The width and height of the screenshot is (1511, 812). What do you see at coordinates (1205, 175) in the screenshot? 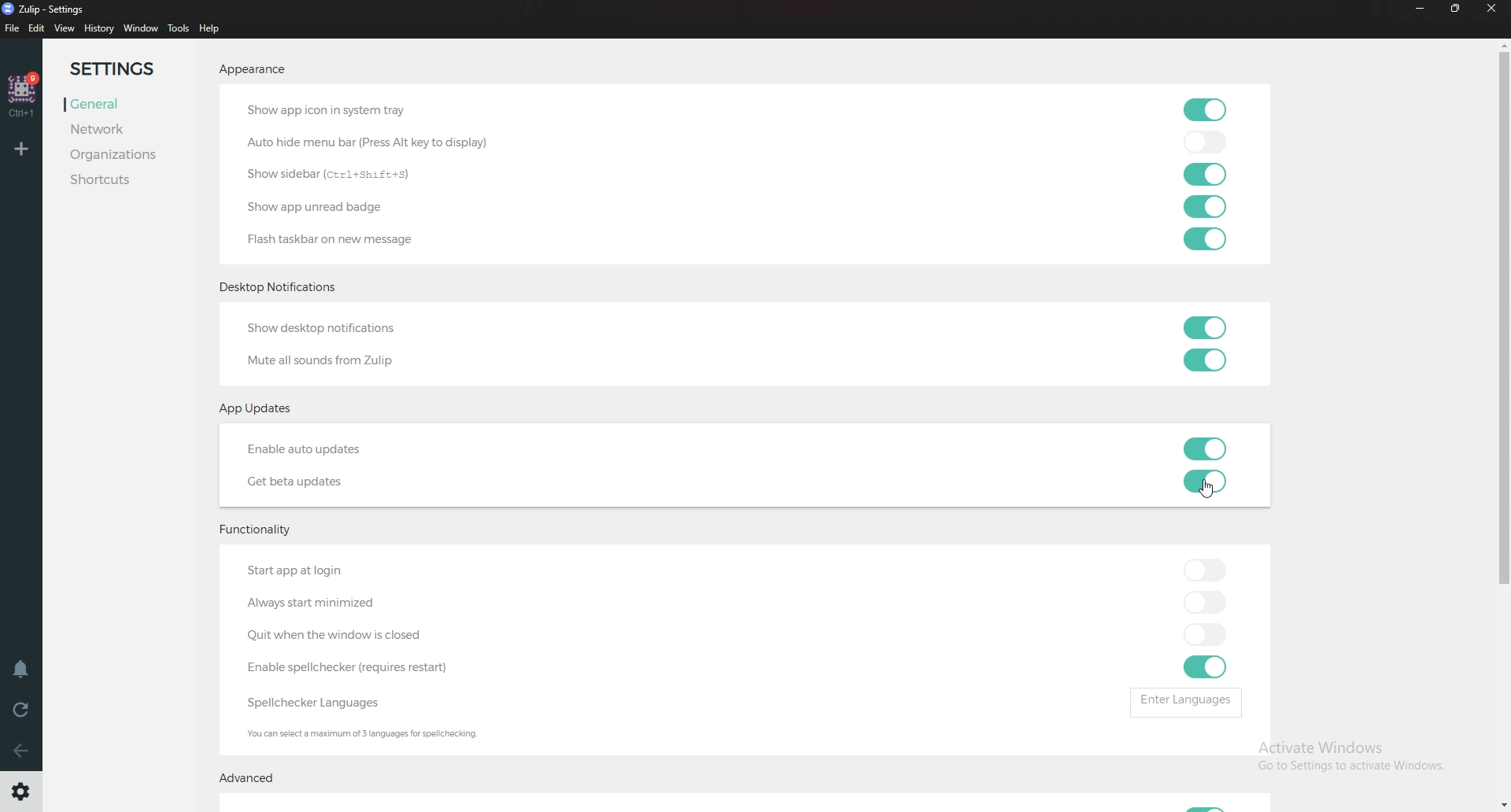
I see `toggle` at bounding box center [1205, 175].